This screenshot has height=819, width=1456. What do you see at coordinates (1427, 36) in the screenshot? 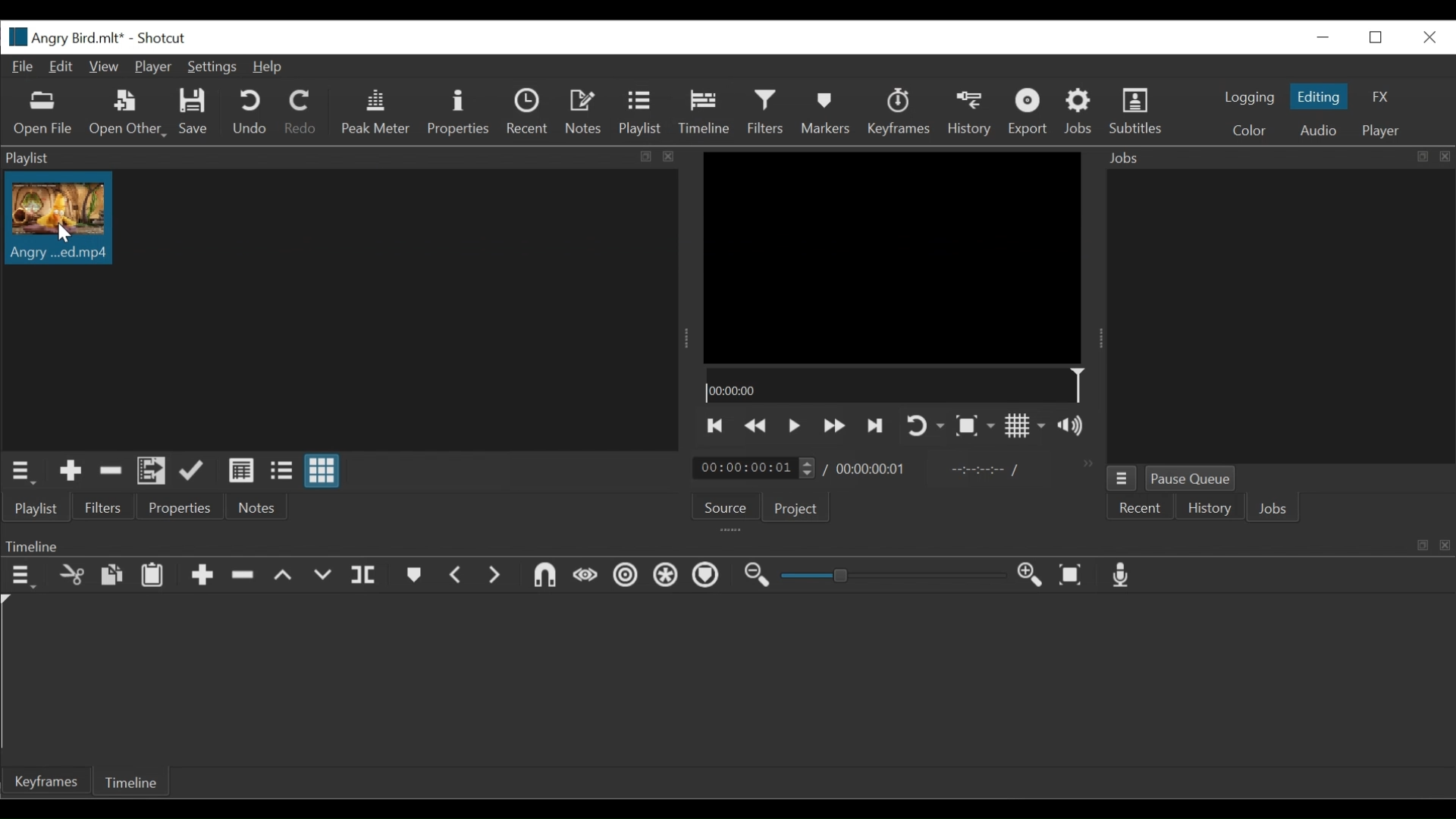
I see `Close` at bounding box center [1427, 36].